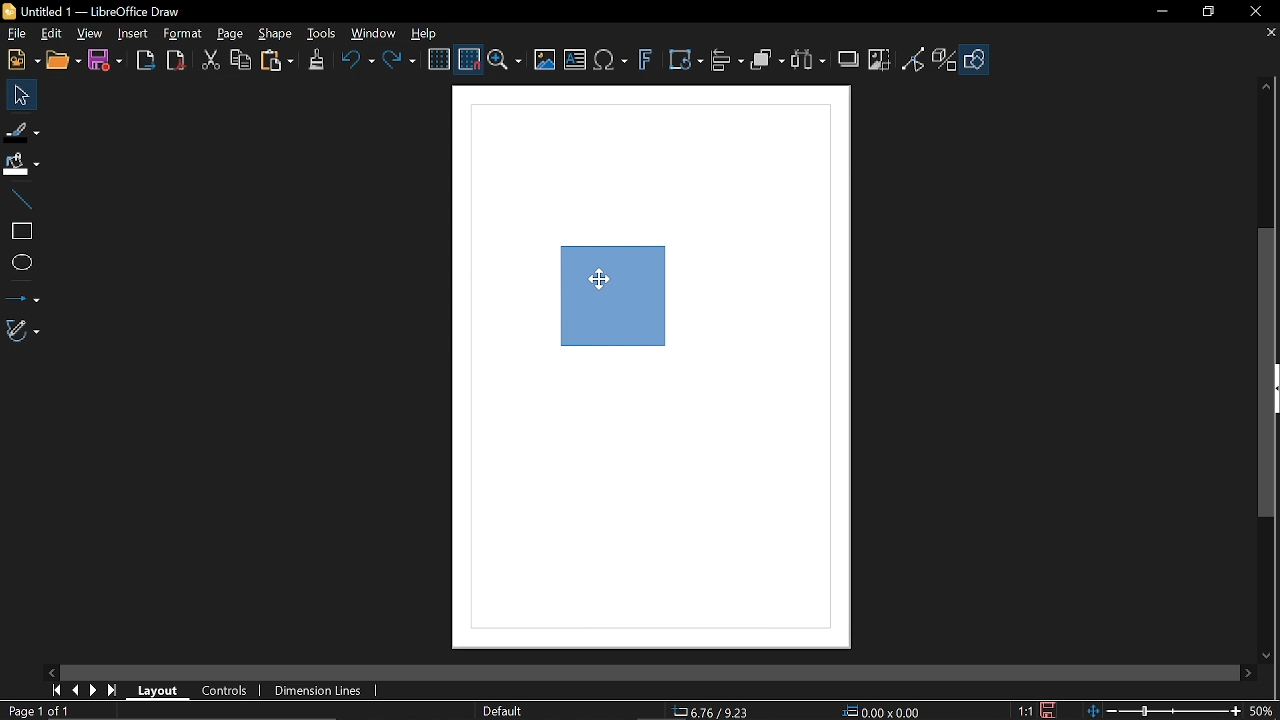 The image size is (1280, 720). What do you see at coordinates (846, 58) in the screenshot?
I see `Shadow` at bounding box center [846, 58].